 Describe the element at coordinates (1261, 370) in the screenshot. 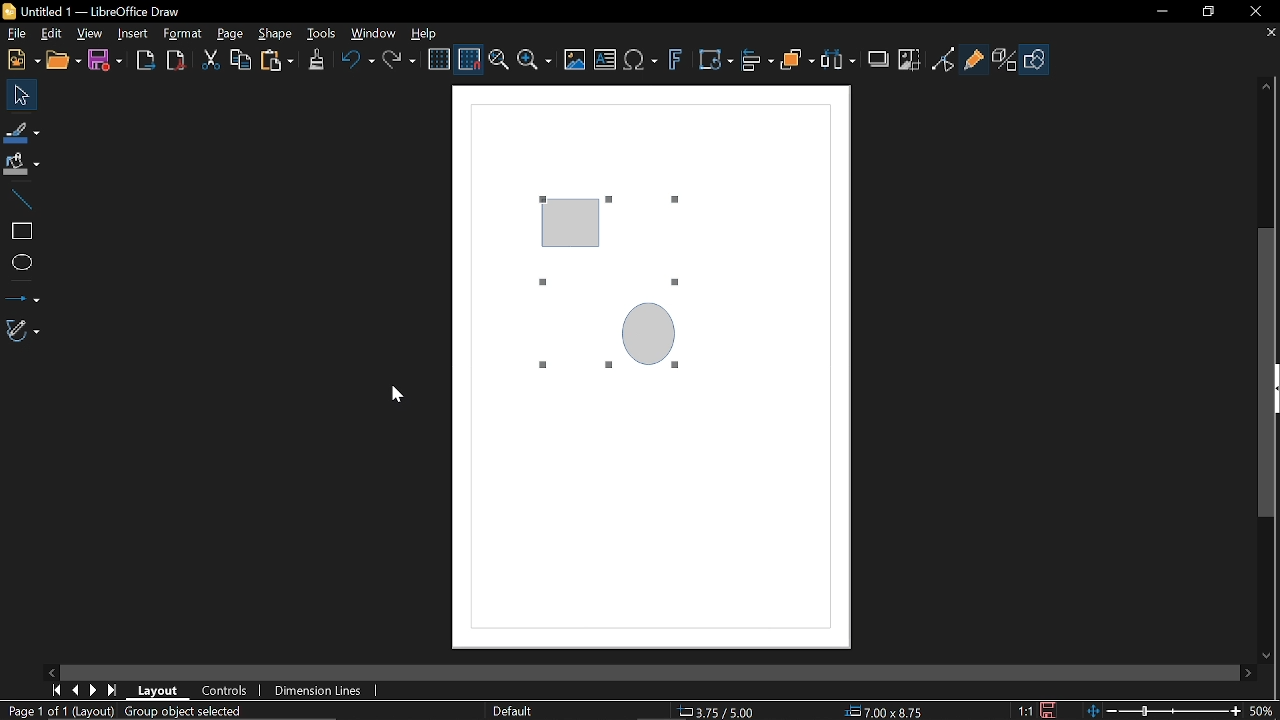

I see `vertical scroll` at that location.